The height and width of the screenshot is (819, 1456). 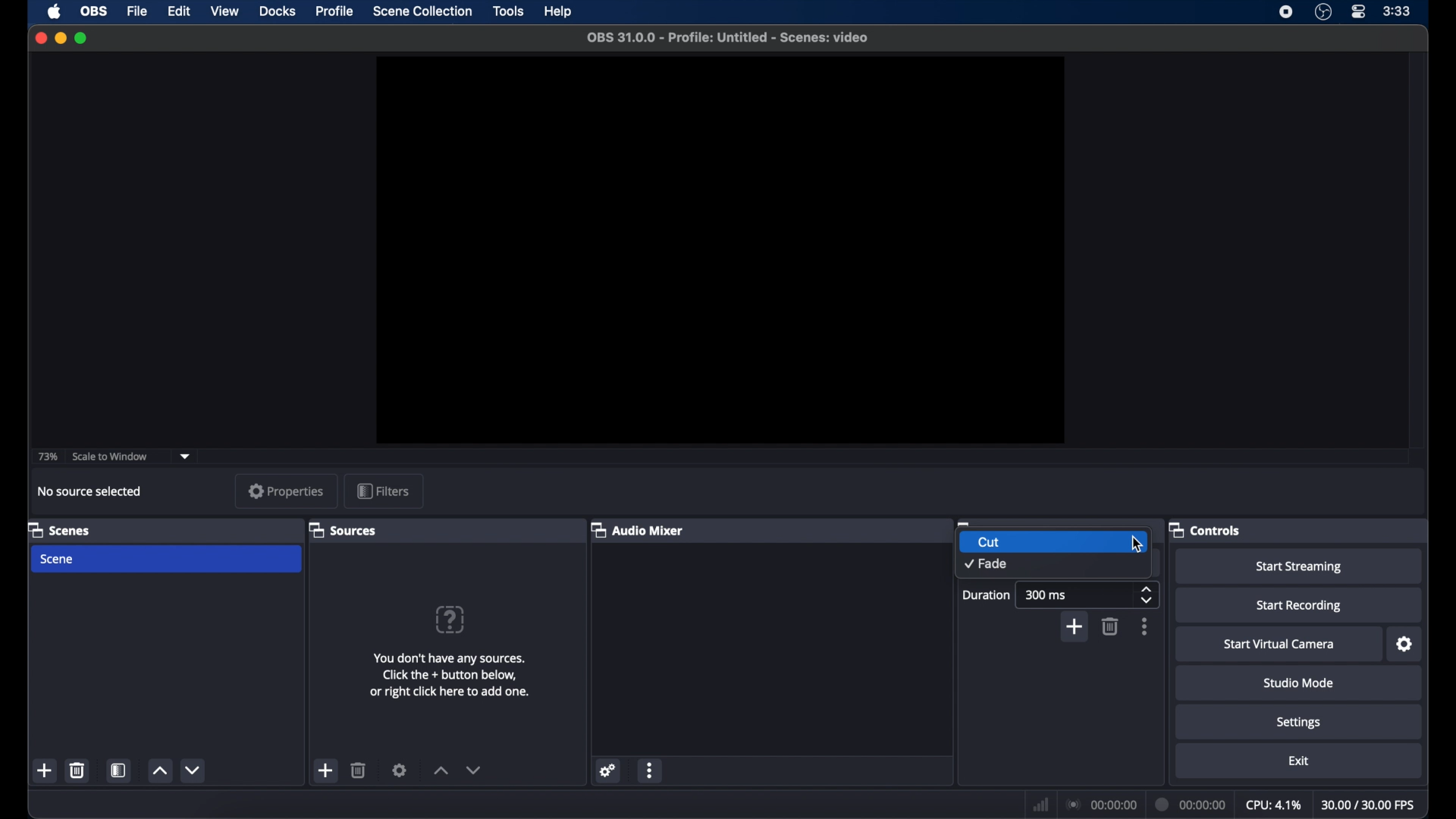 I want to click on start streaming, so click(x=1301, y=567).